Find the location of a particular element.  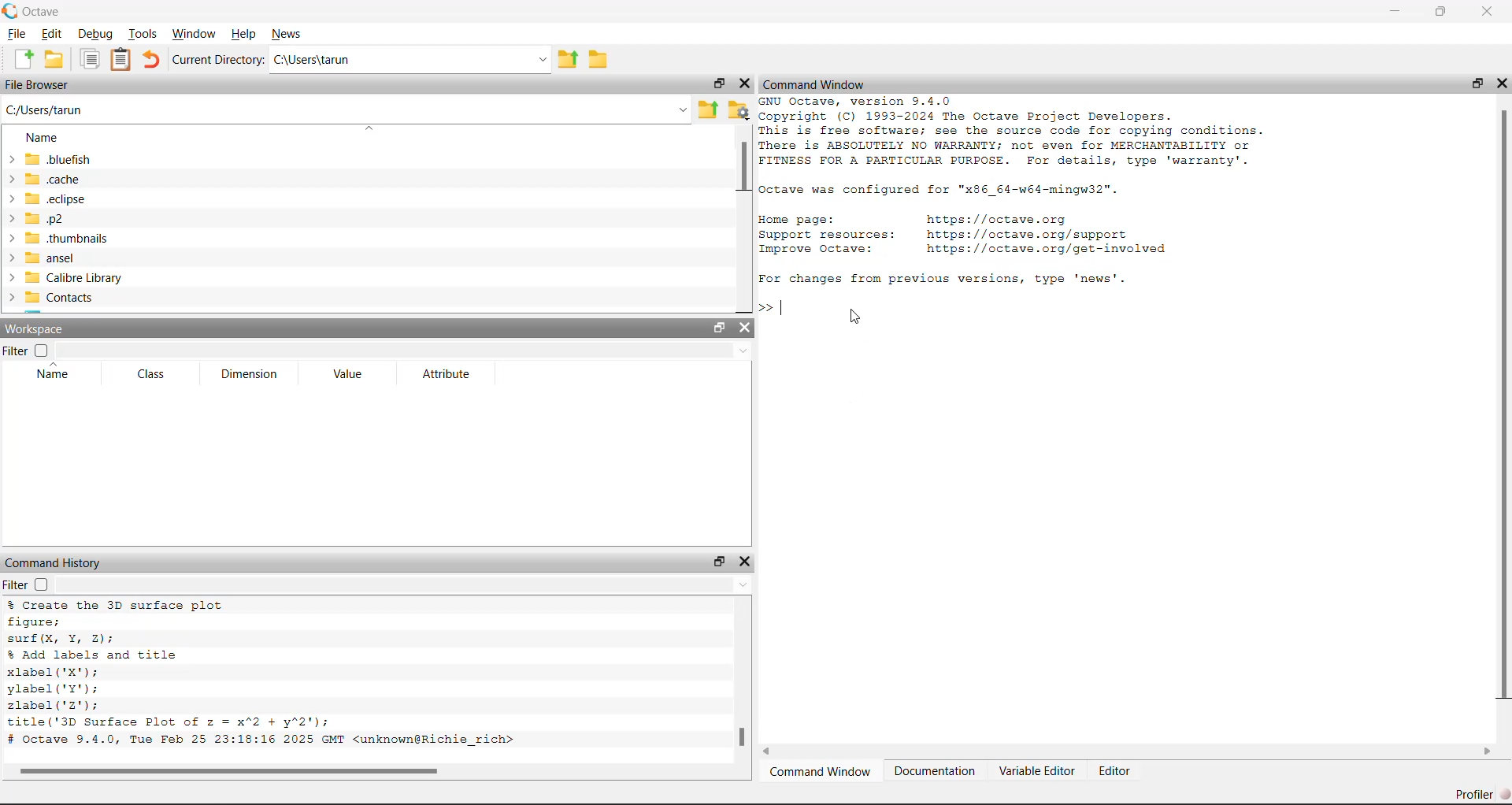

ansel is located at coordinates (47, 258).